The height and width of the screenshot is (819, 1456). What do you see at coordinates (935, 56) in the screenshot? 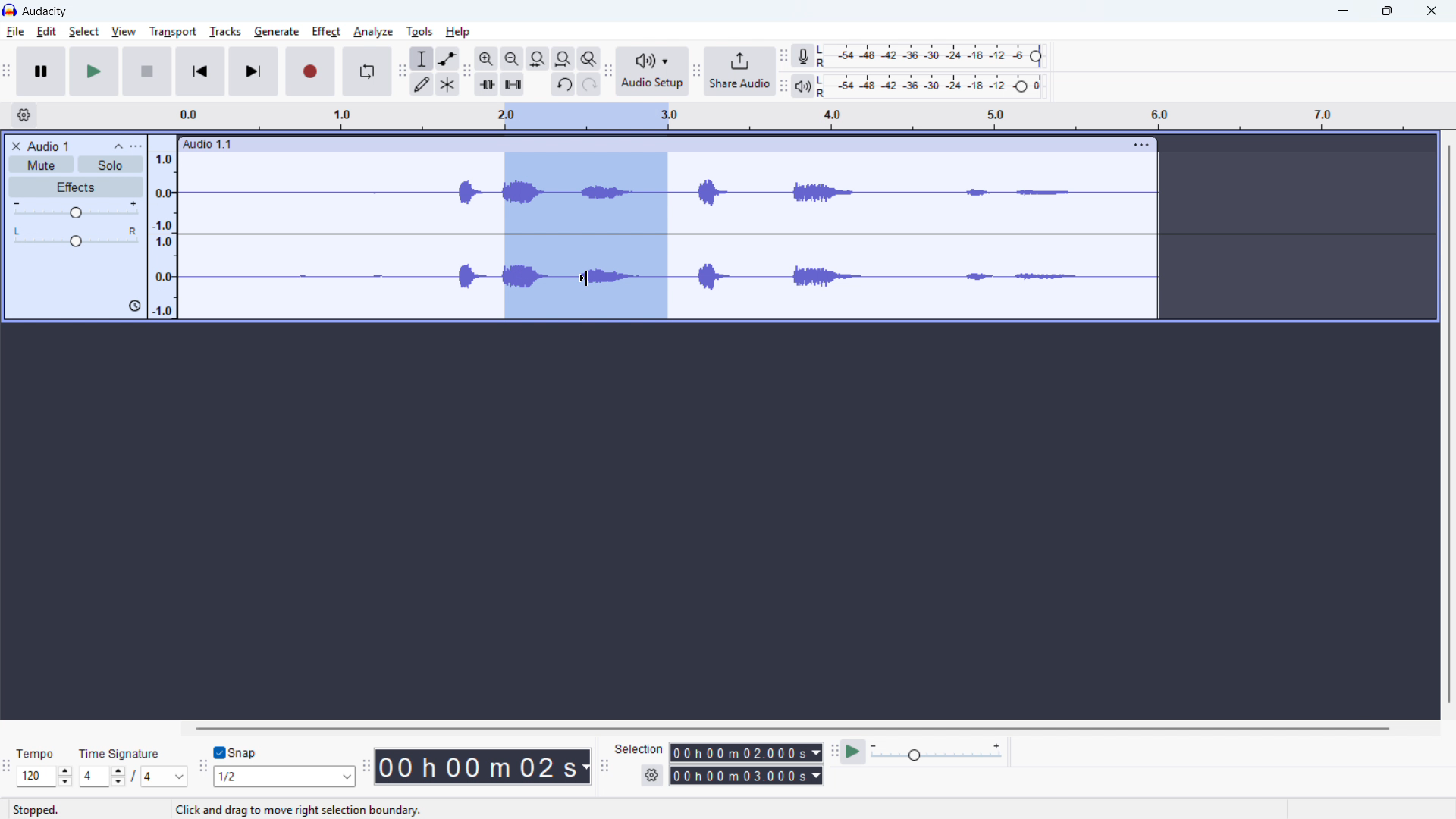
I see `Recording level` at bounding box center [935, 56].